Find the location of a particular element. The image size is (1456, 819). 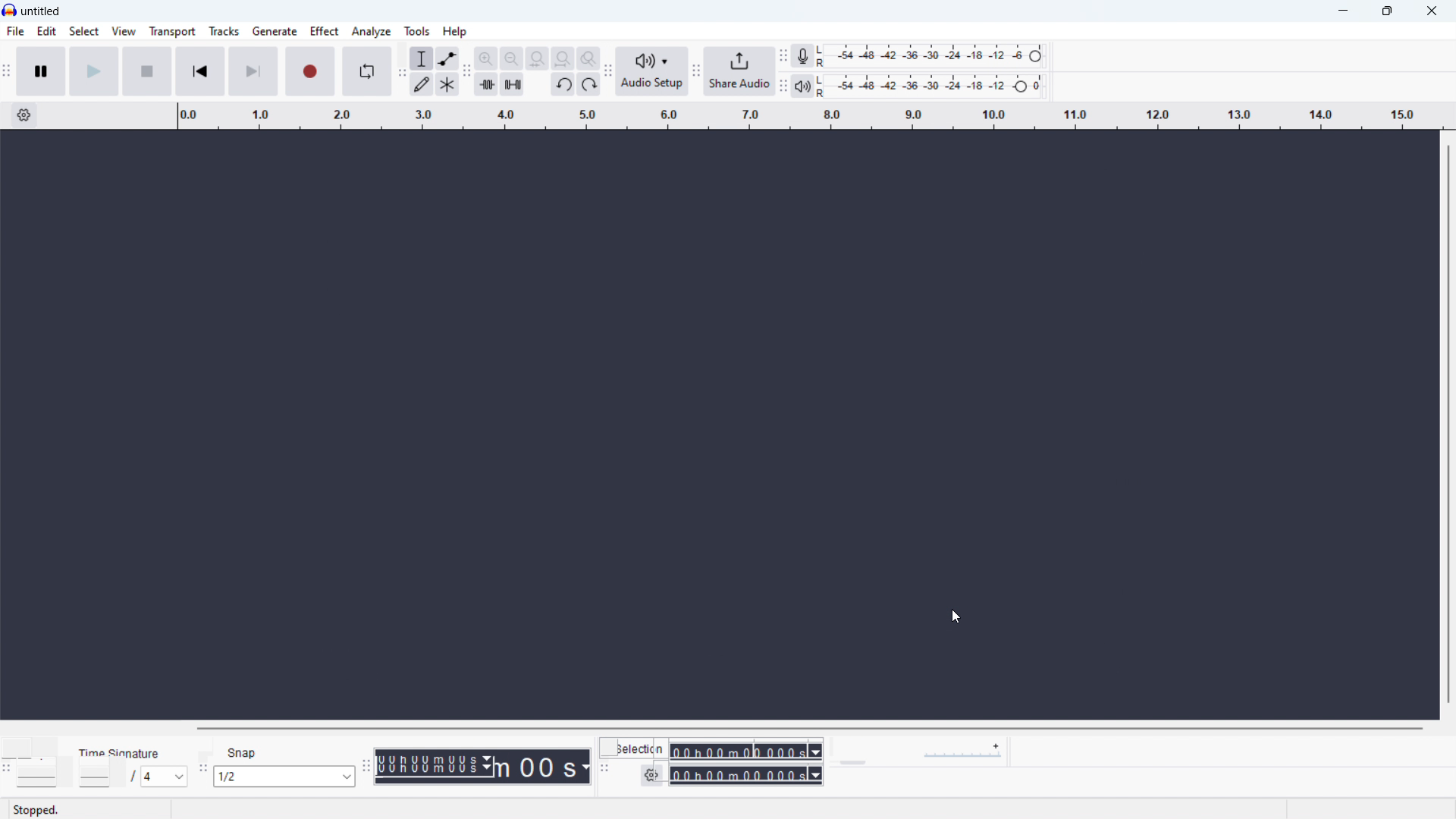

select is located at coordinates (83, 31).